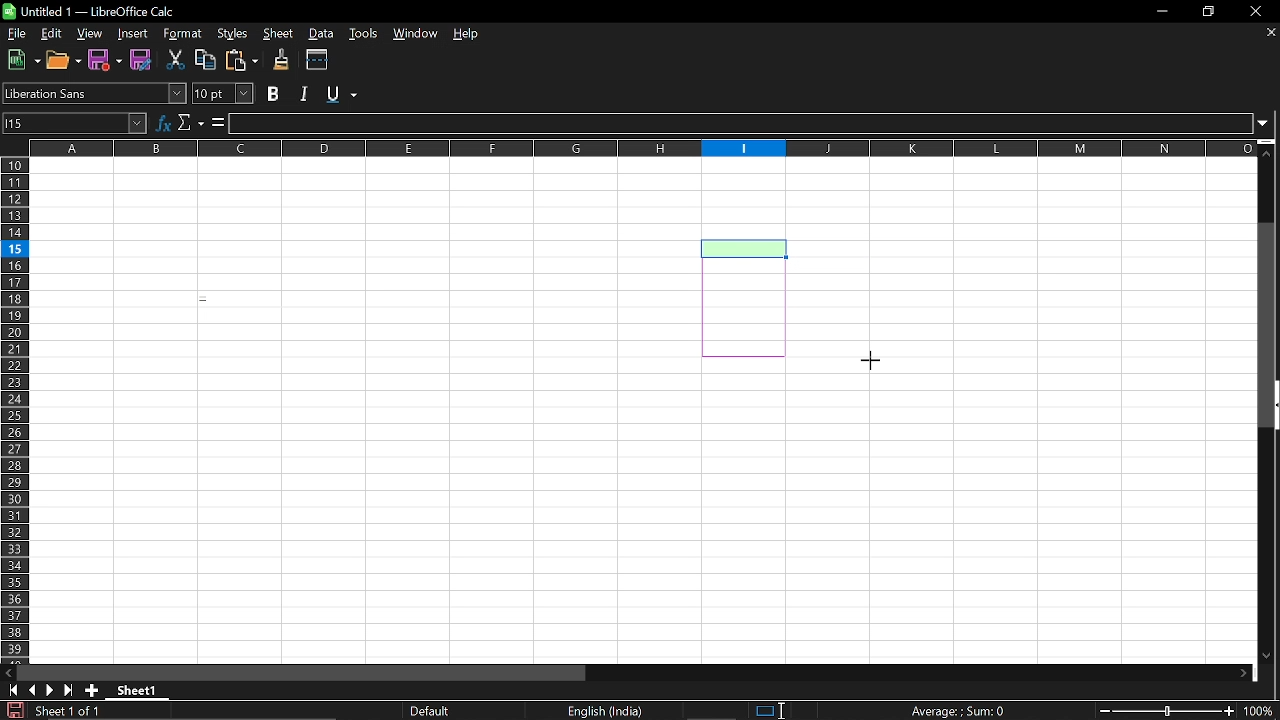  What do you see at coordinates (218, 124) in the screenshot?
I see `Formula` at bounding box center [218, 124].